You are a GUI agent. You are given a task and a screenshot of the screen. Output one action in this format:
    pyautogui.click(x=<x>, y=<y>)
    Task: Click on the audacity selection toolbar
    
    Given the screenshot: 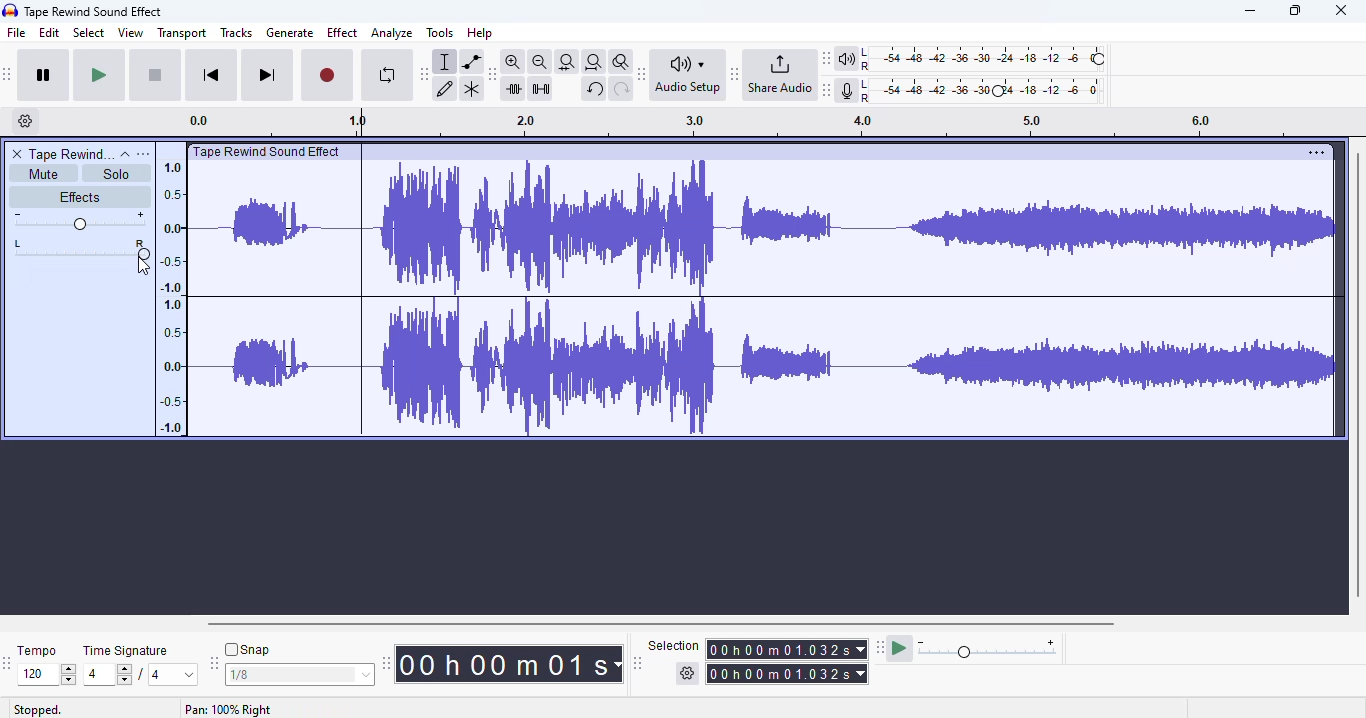 What is the action you would take?
    pyautogui.click(x=637, y=663)
    